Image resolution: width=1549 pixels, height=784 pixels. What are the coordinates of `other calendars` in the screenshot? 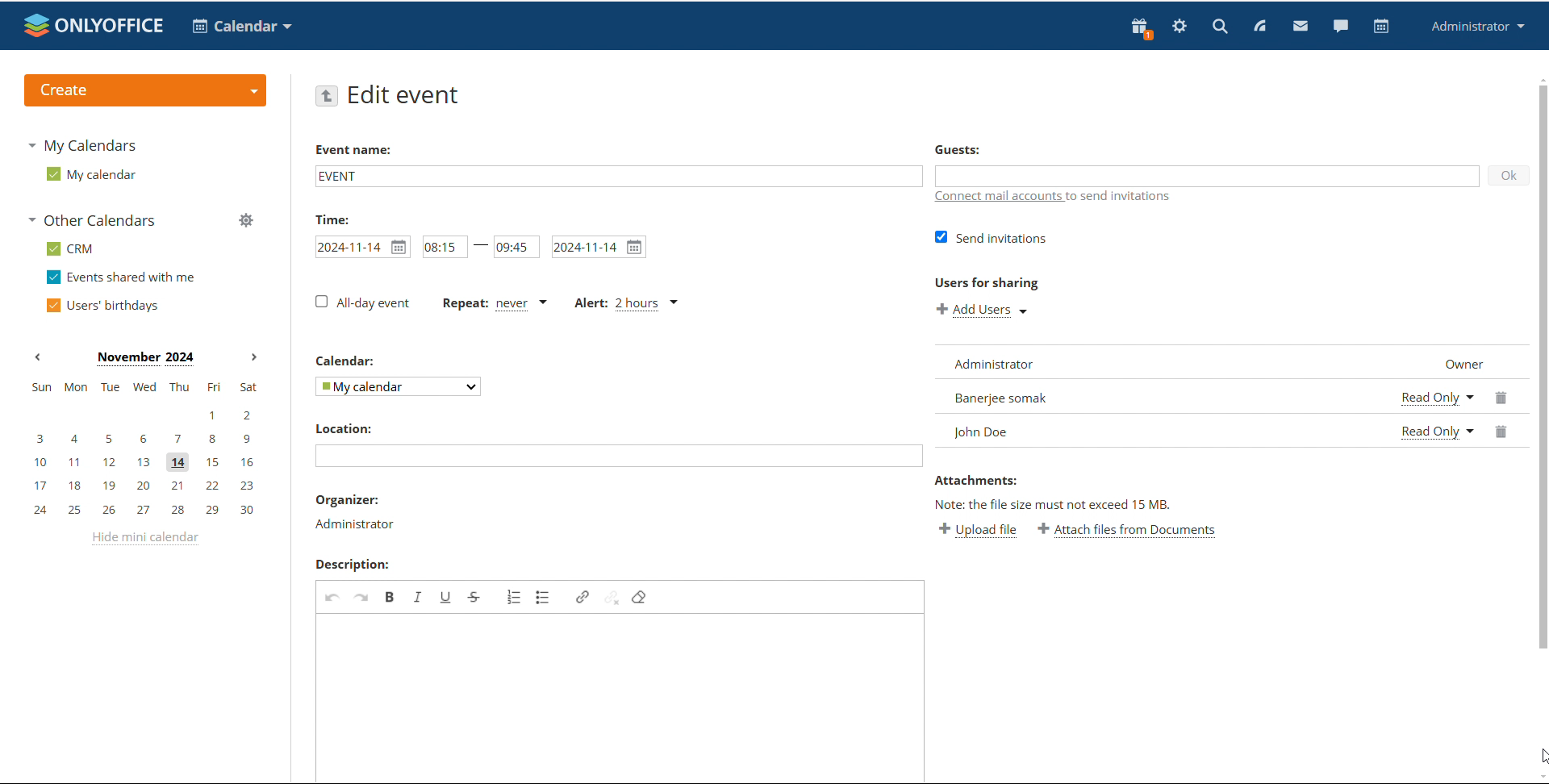 It's located at (95, 219).